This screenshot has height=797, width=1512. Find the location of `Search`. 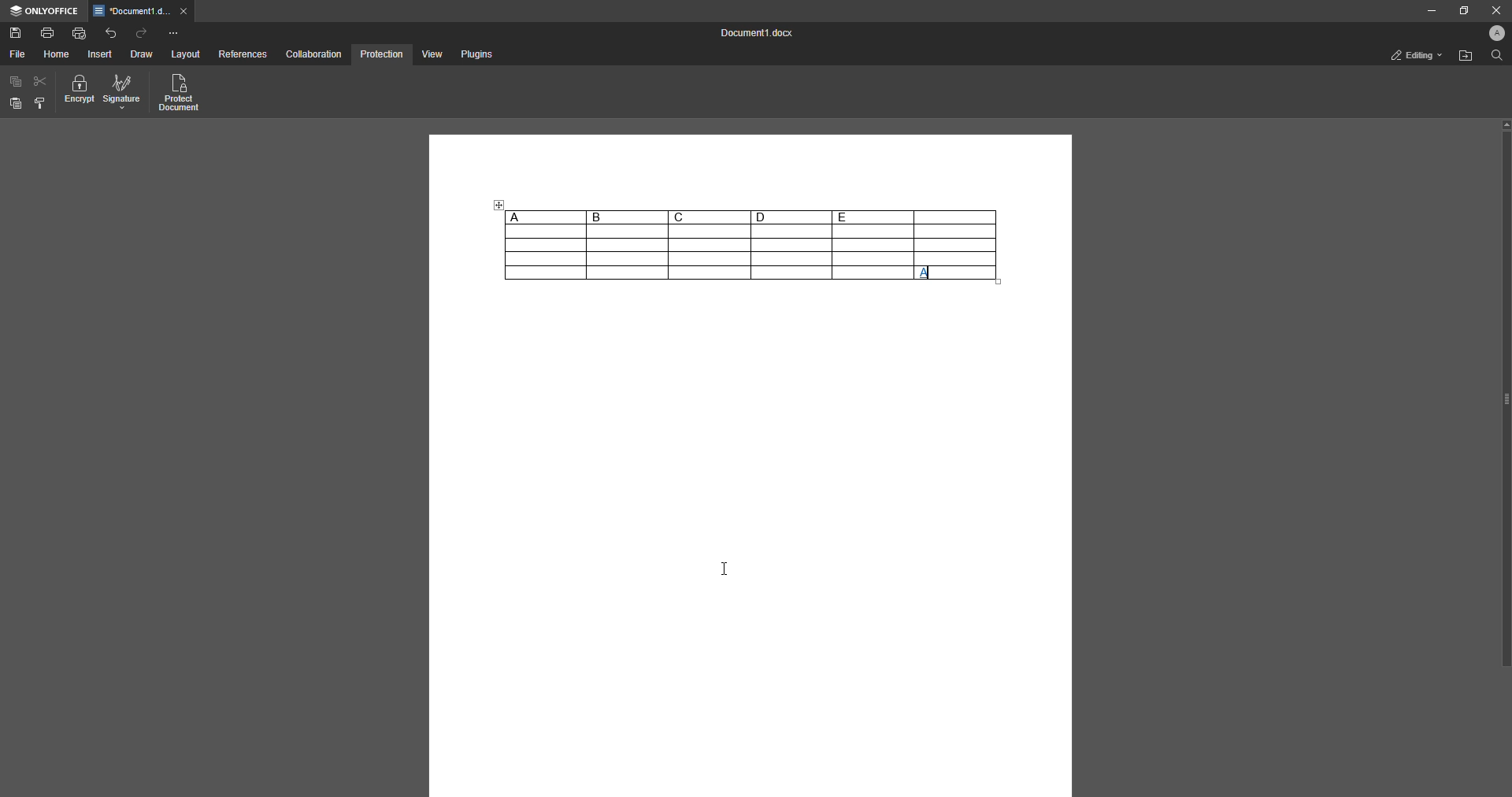

Search is located at coordinates (1495, 57).